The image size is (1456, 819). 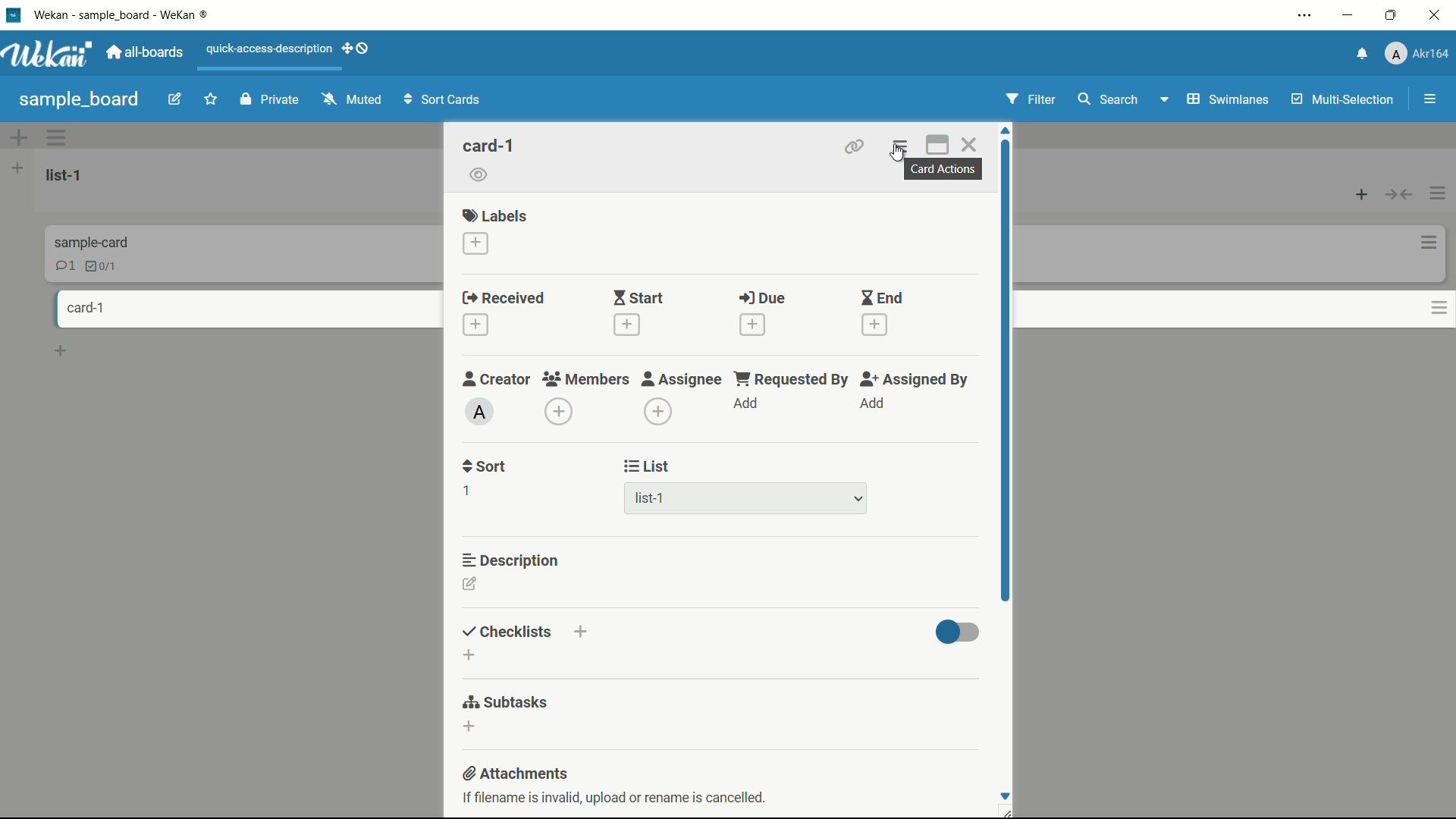 What do you see at coordinates (19, 168) in the screenshot?
I see `add list` at bounding box center [19, 168].